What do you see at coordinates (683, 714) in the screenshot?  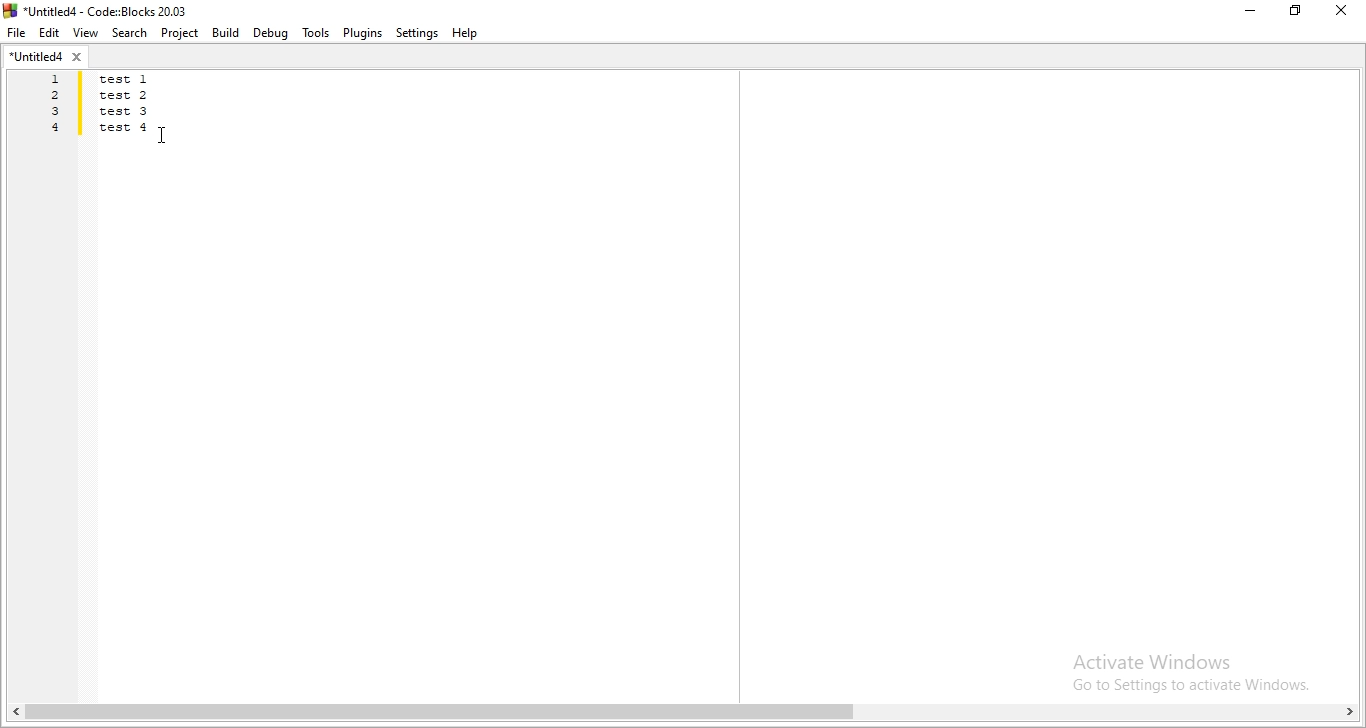 I see `scroll bar` at bounding box center [683, 714].